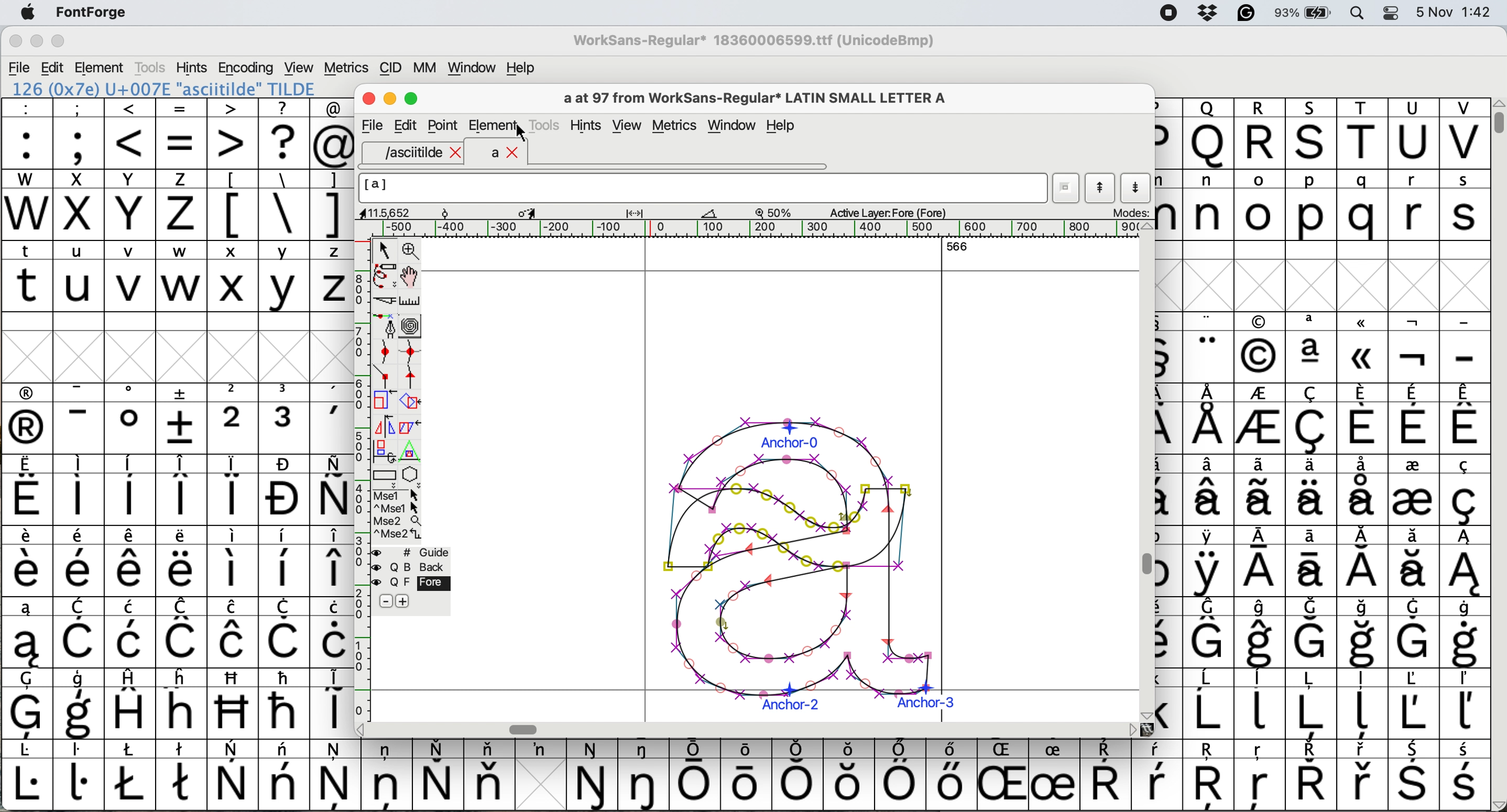  Describe the element at coordinates (386, 602) in the screenshot. I see `remove` at that location.